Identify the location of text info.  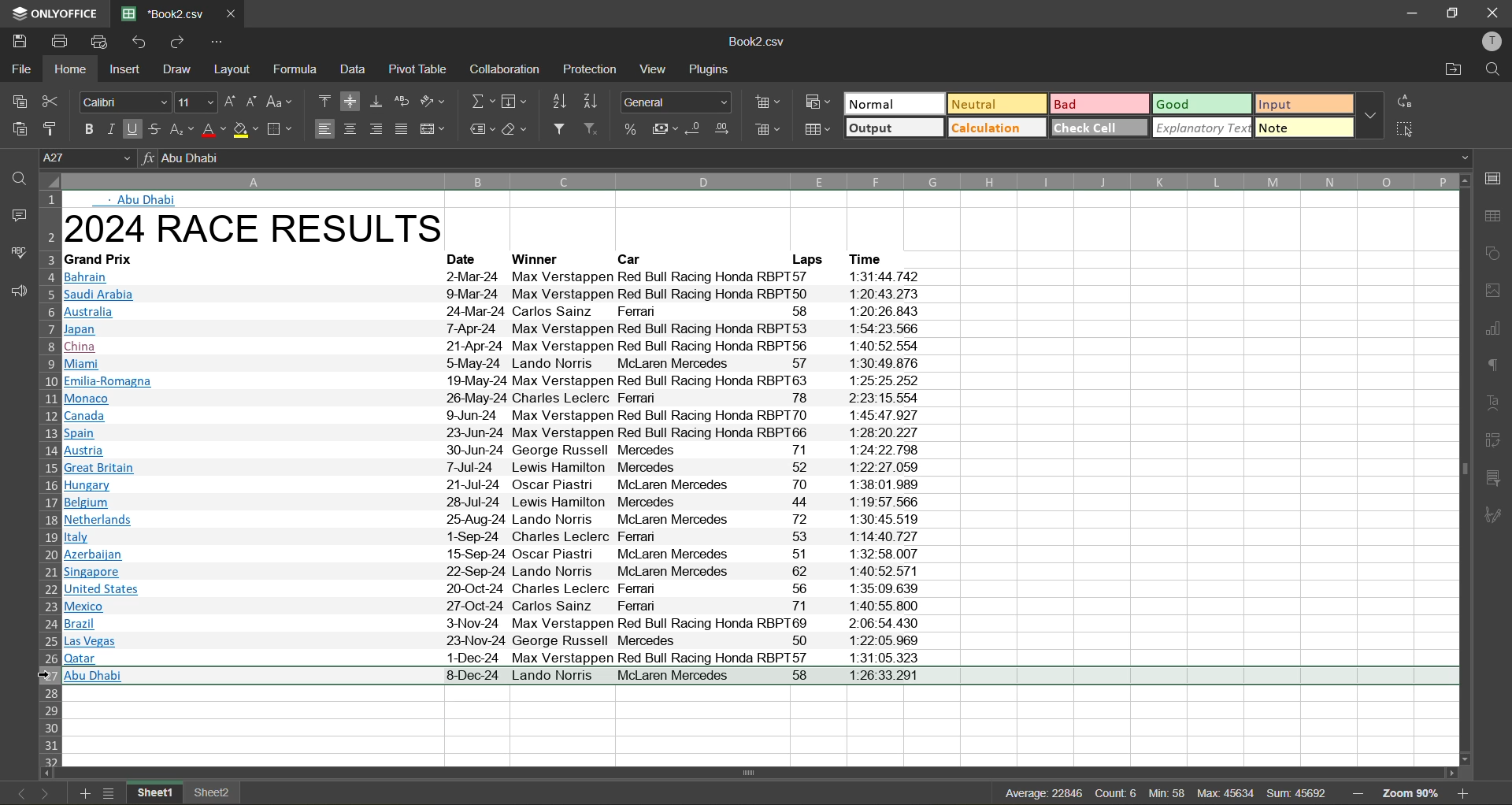
(491, 623).